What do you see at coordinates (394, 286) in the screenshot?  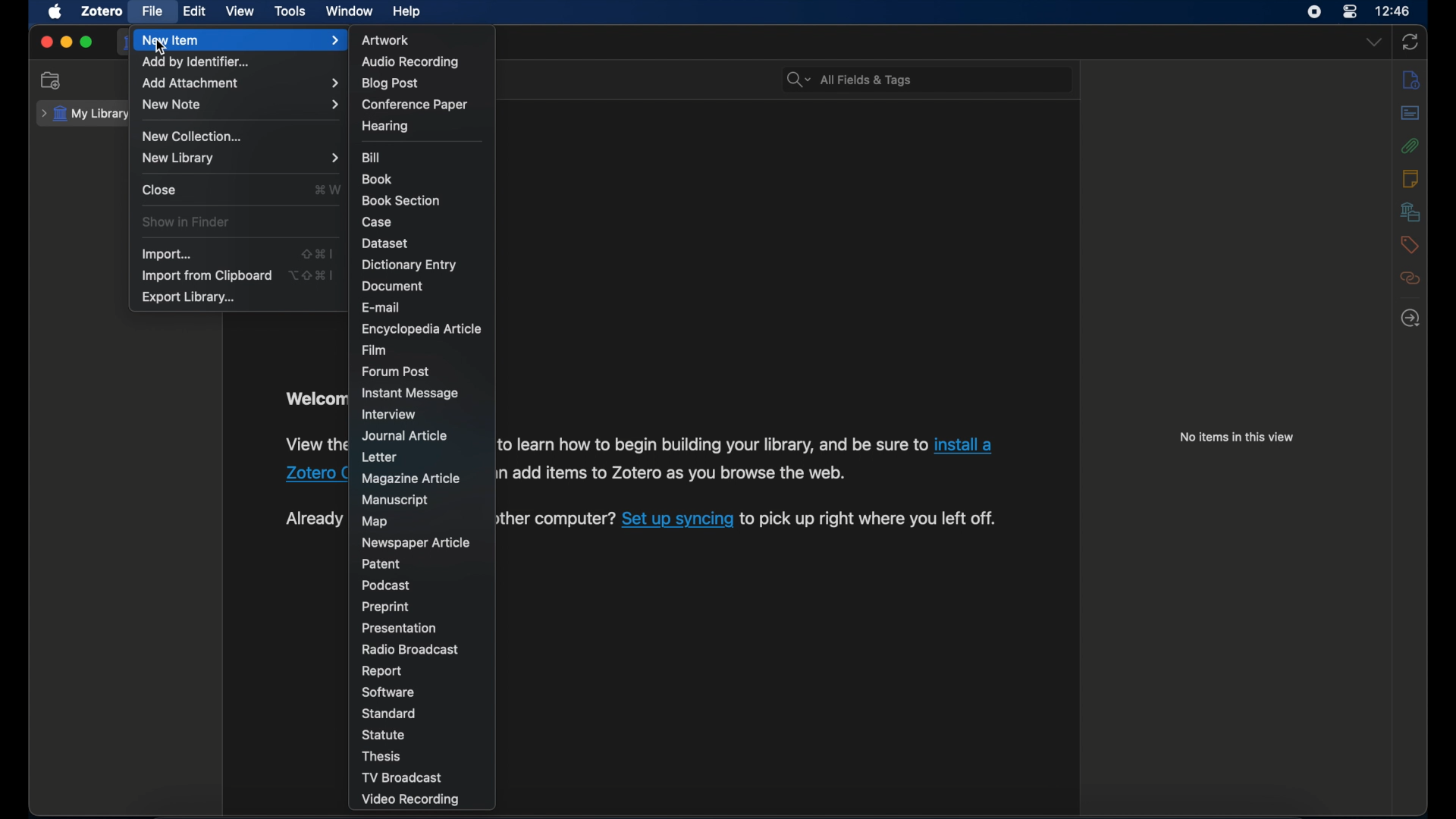 I see `document` at bounding box center [394, 286].